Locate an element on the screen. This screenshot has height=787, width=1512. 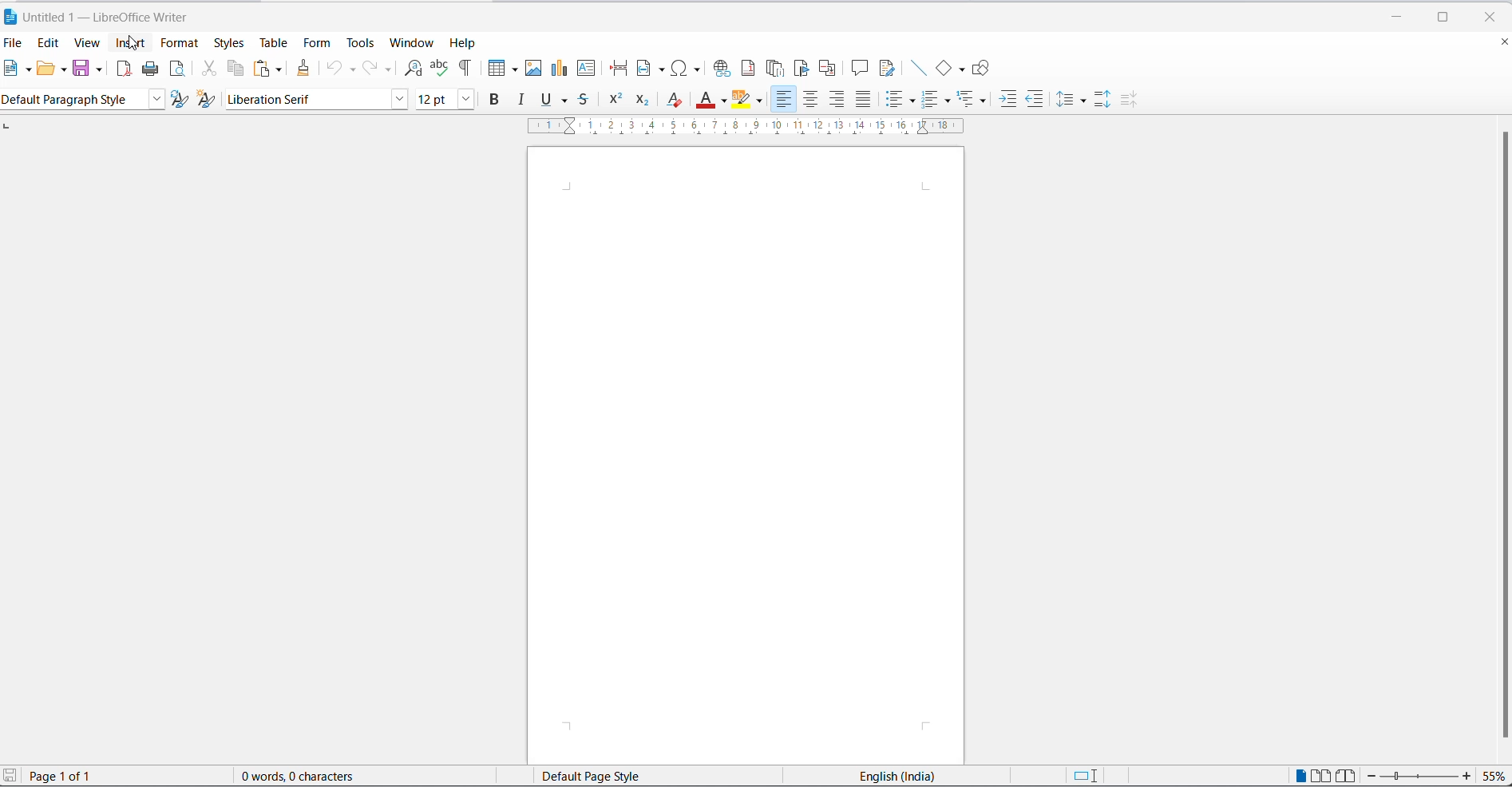
scaling is located at coordinates (759, 130).